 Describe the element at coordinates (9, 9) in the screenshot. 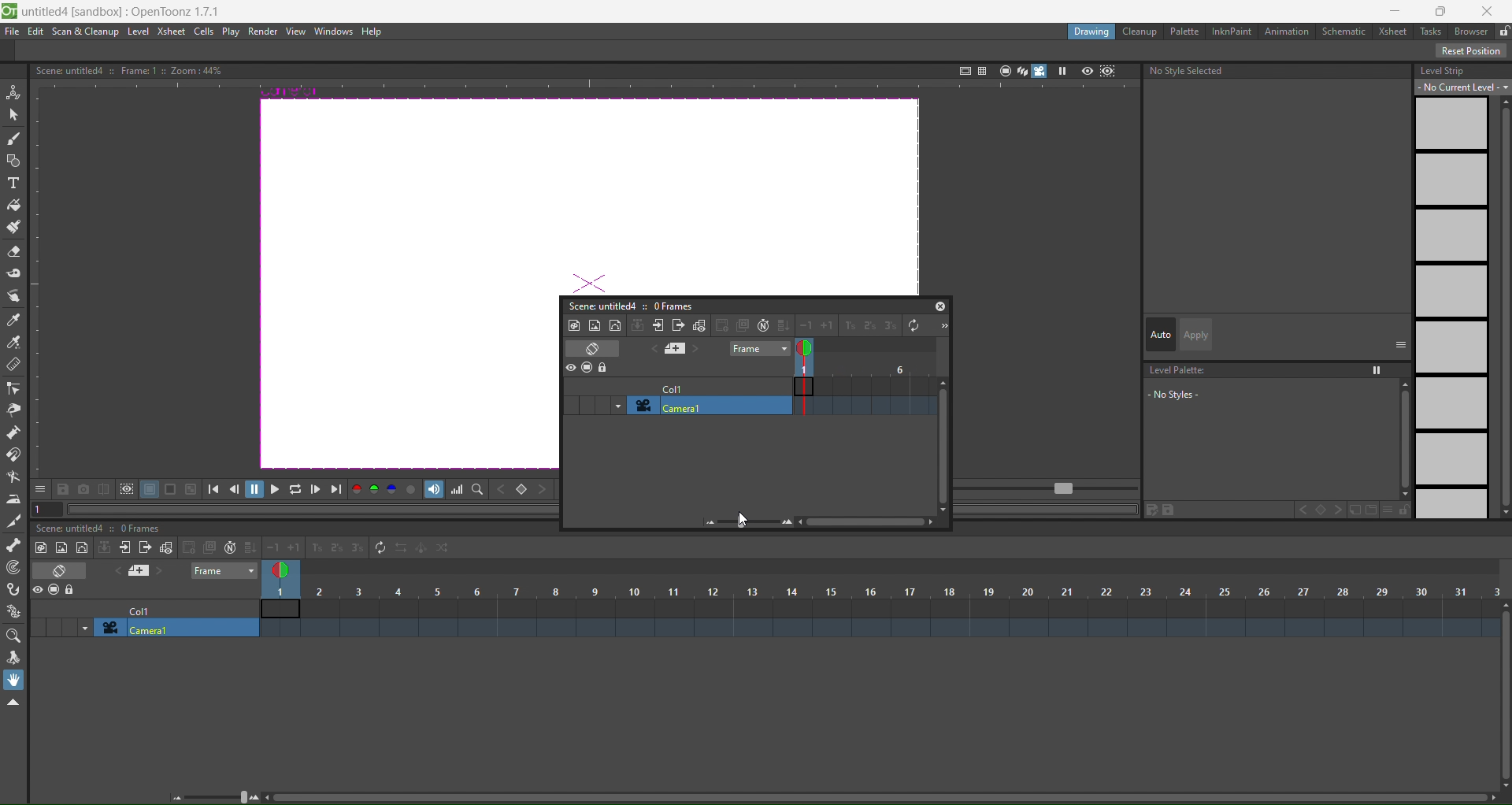

I see `logo` at that location.